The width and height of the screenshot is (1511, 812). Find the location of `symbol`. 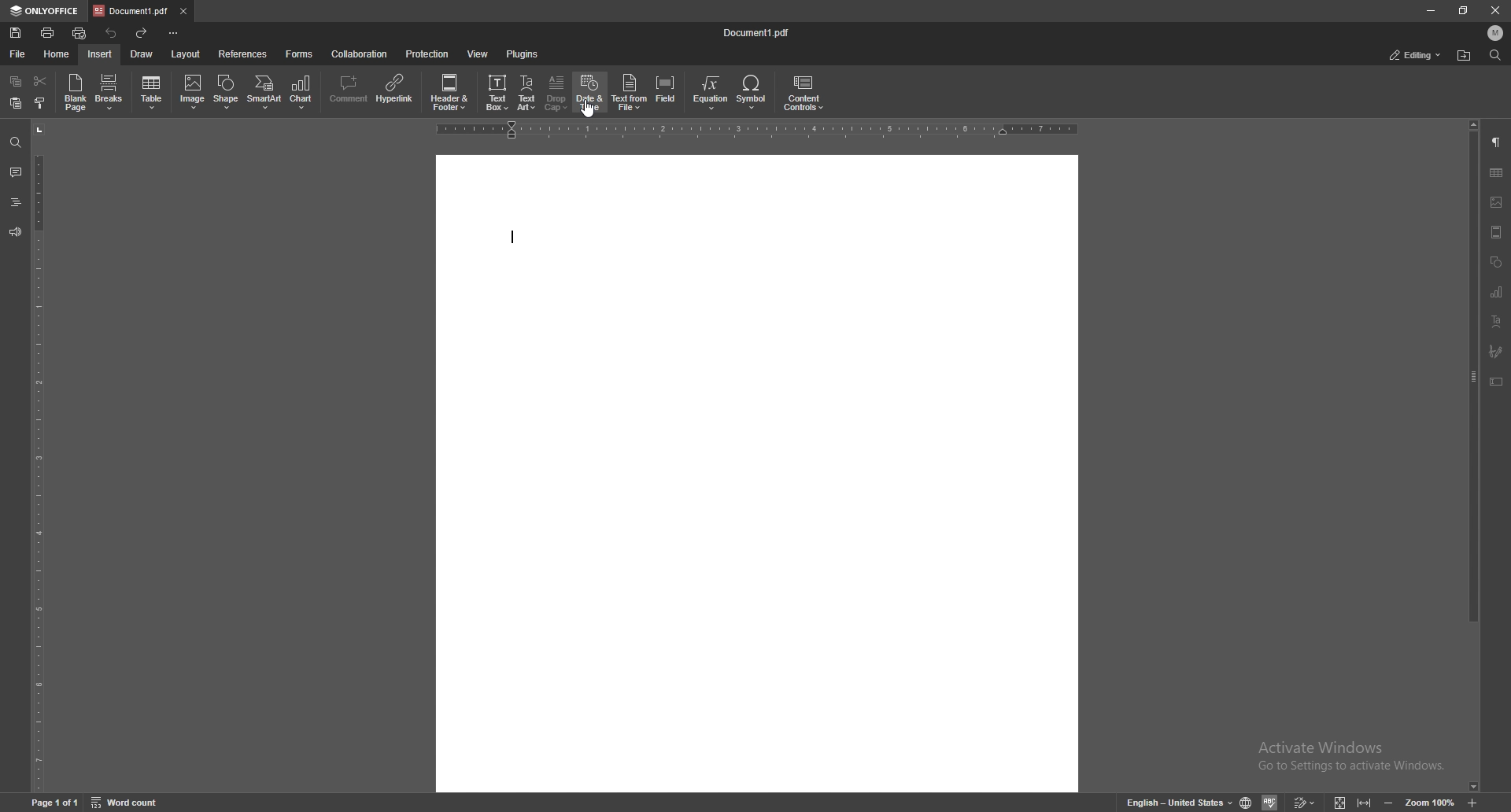

symbol is located at coordinates (753, 92).